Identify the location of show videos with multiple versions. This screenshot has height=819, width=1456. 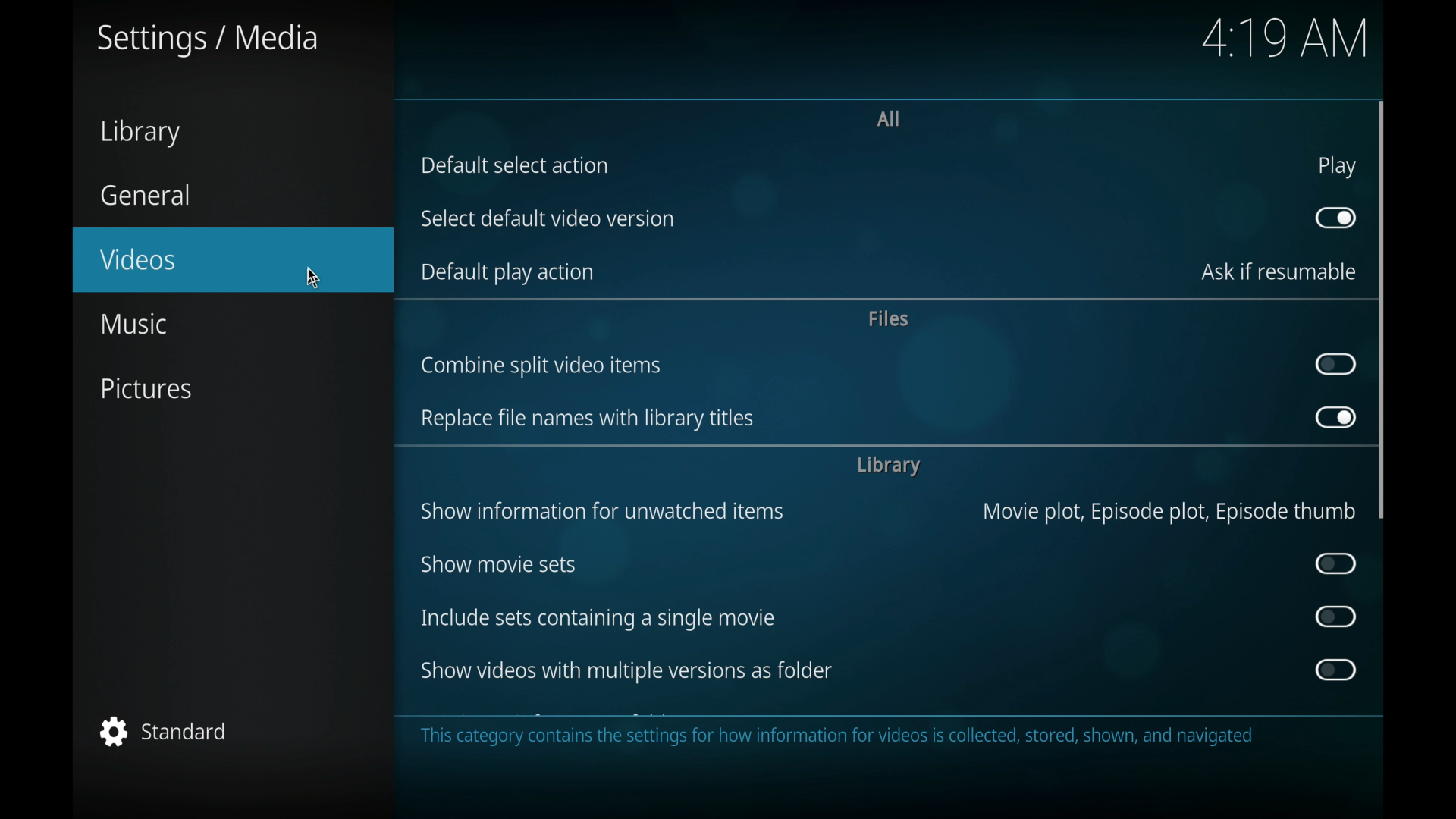
(623, 670).